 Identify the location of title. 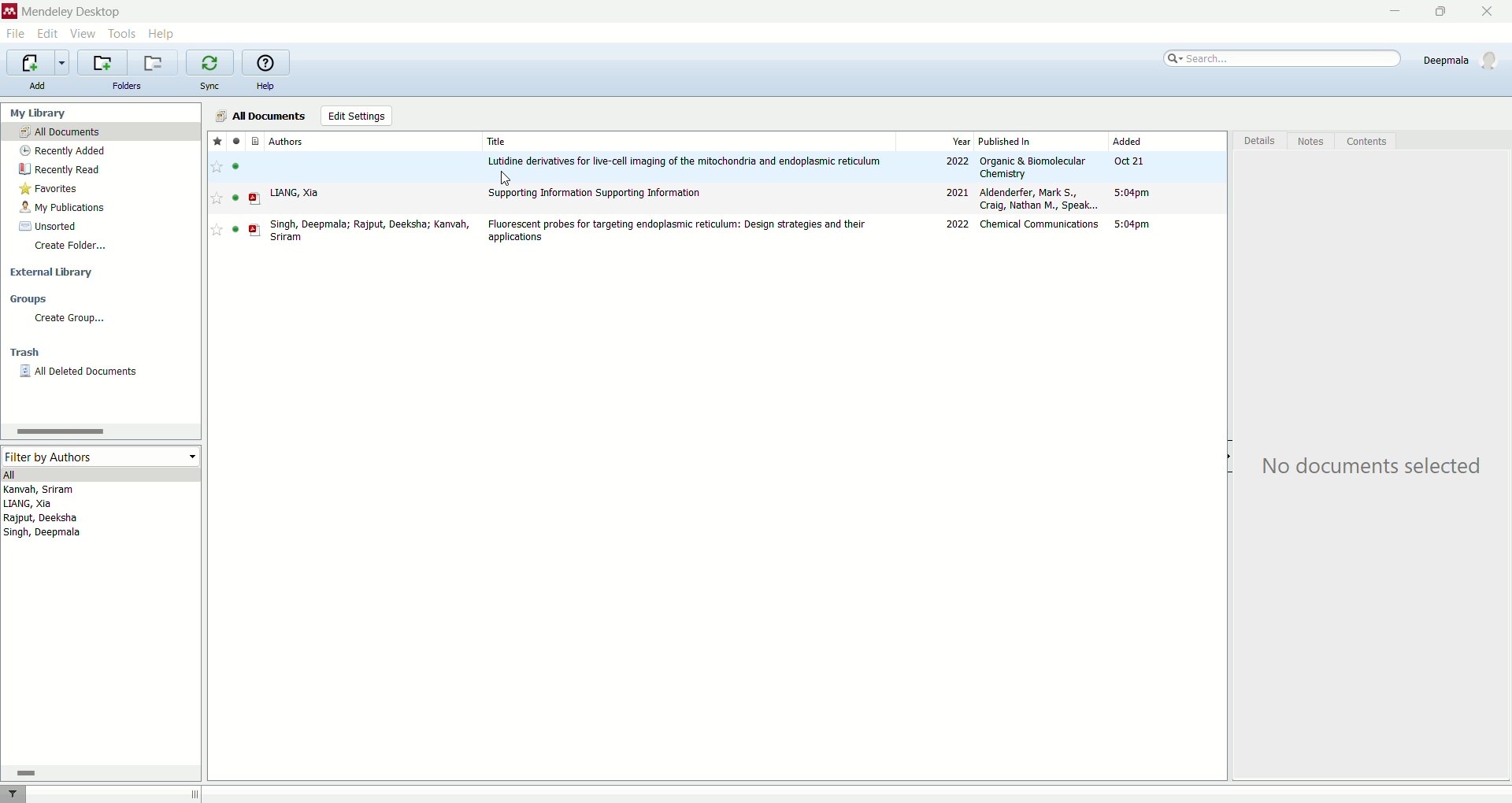
(496, 141).